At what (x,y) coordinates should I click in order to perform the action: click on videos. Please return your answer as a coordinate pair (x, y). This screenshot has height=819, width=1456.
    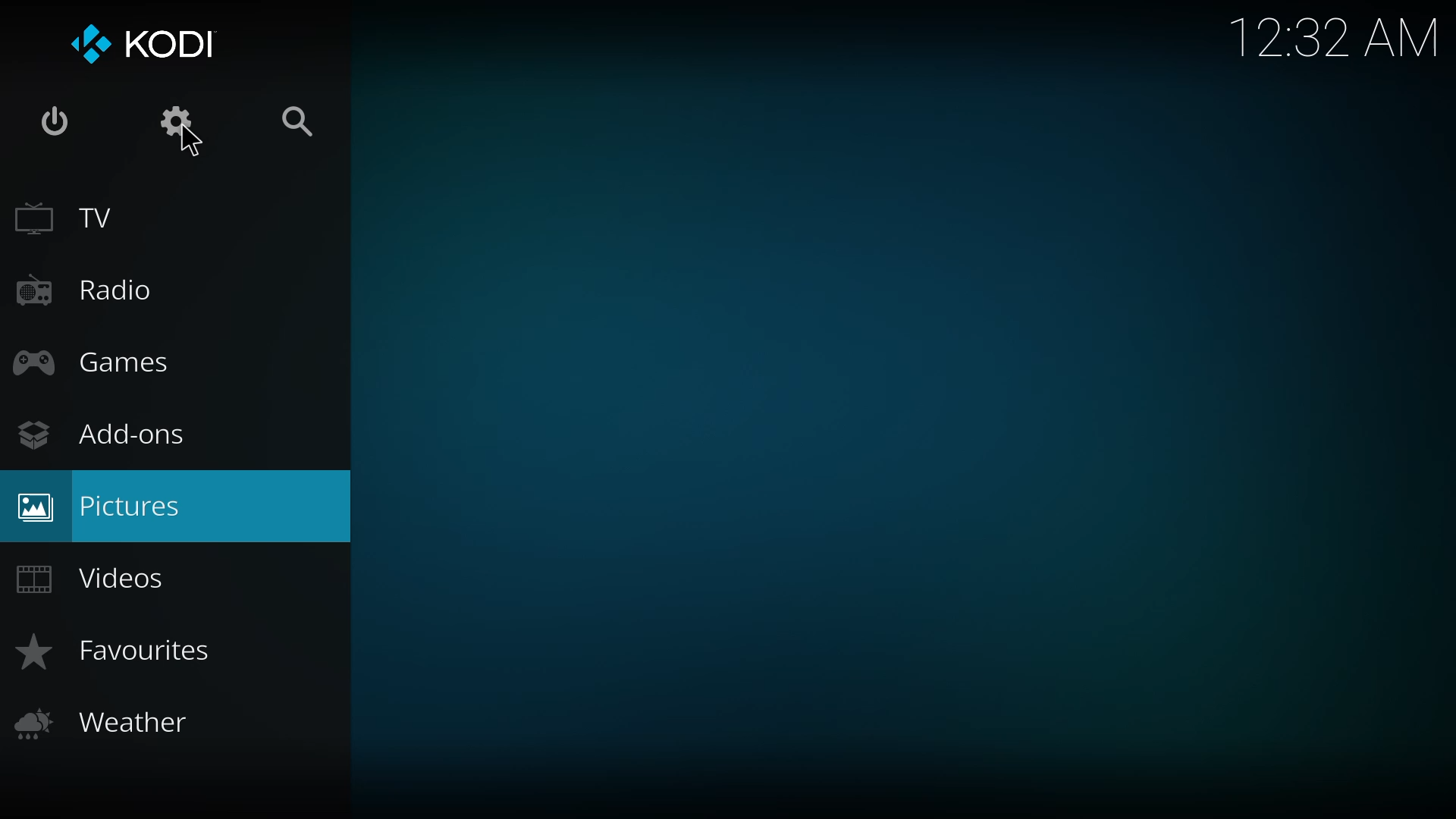
    Looking at the image, I should click on (101, 577).